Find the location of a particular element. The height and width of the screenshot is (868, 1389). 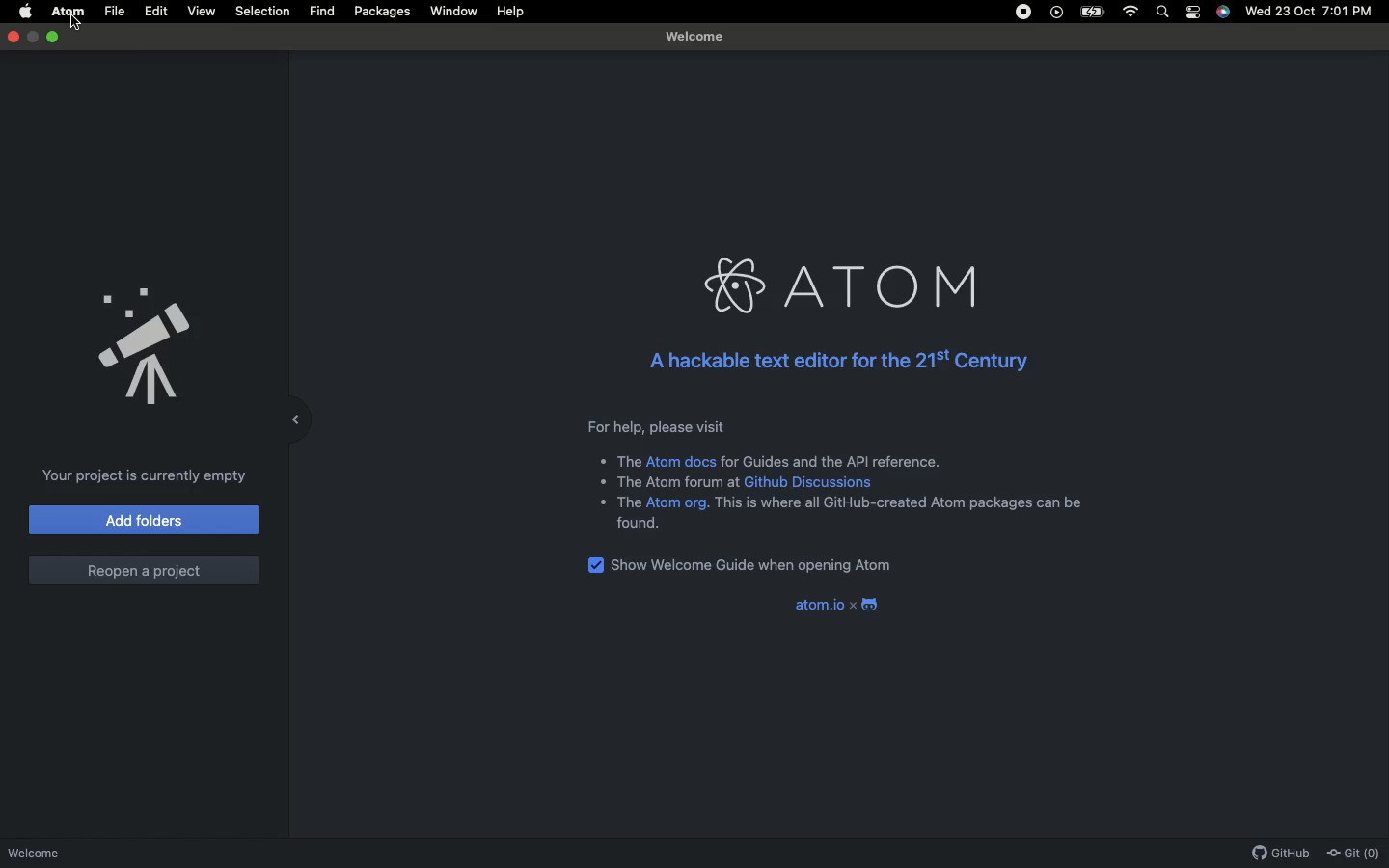

Edit is located at coordinates (156, 12).